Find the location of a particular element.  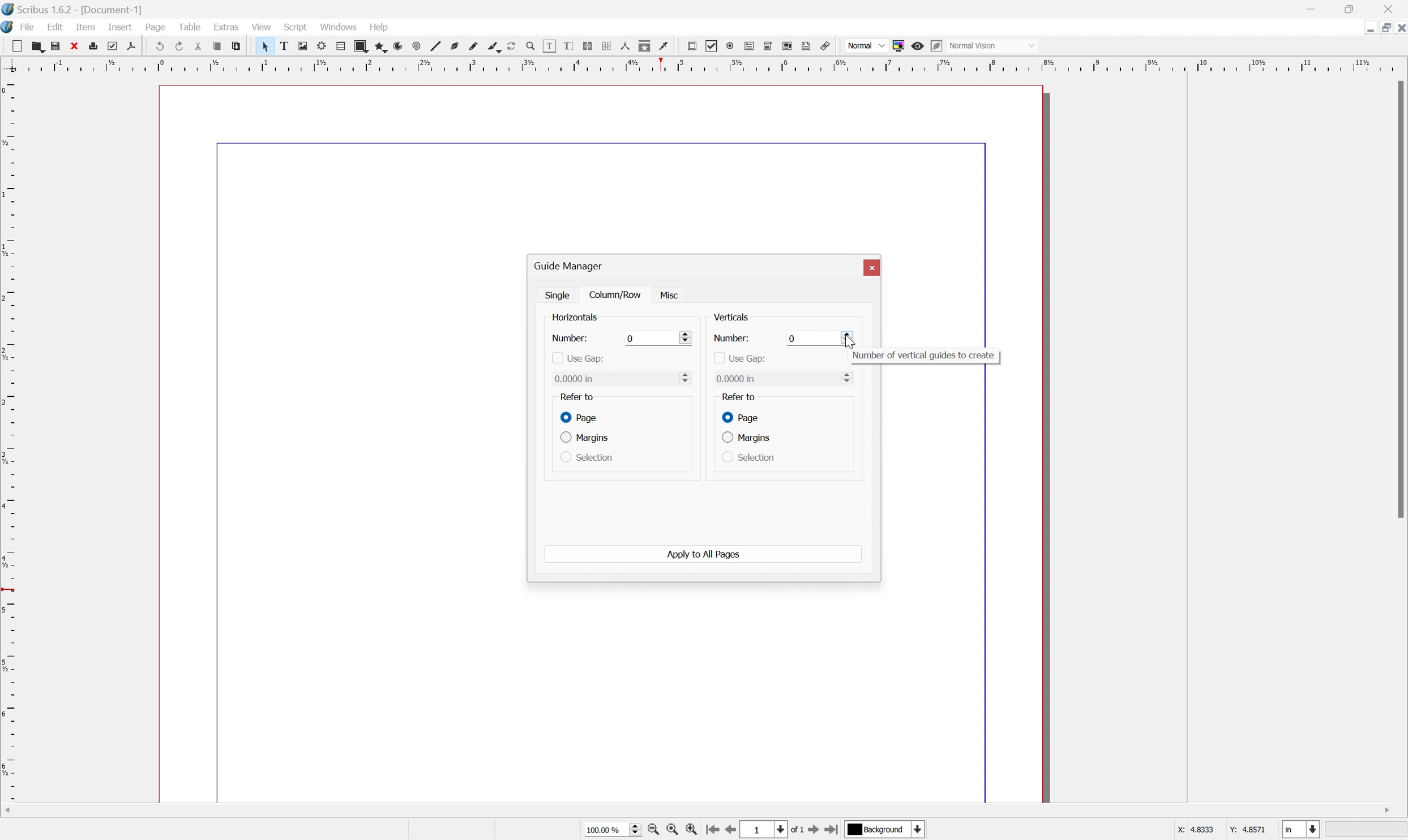

measurements is located at coordinates (624, 46).